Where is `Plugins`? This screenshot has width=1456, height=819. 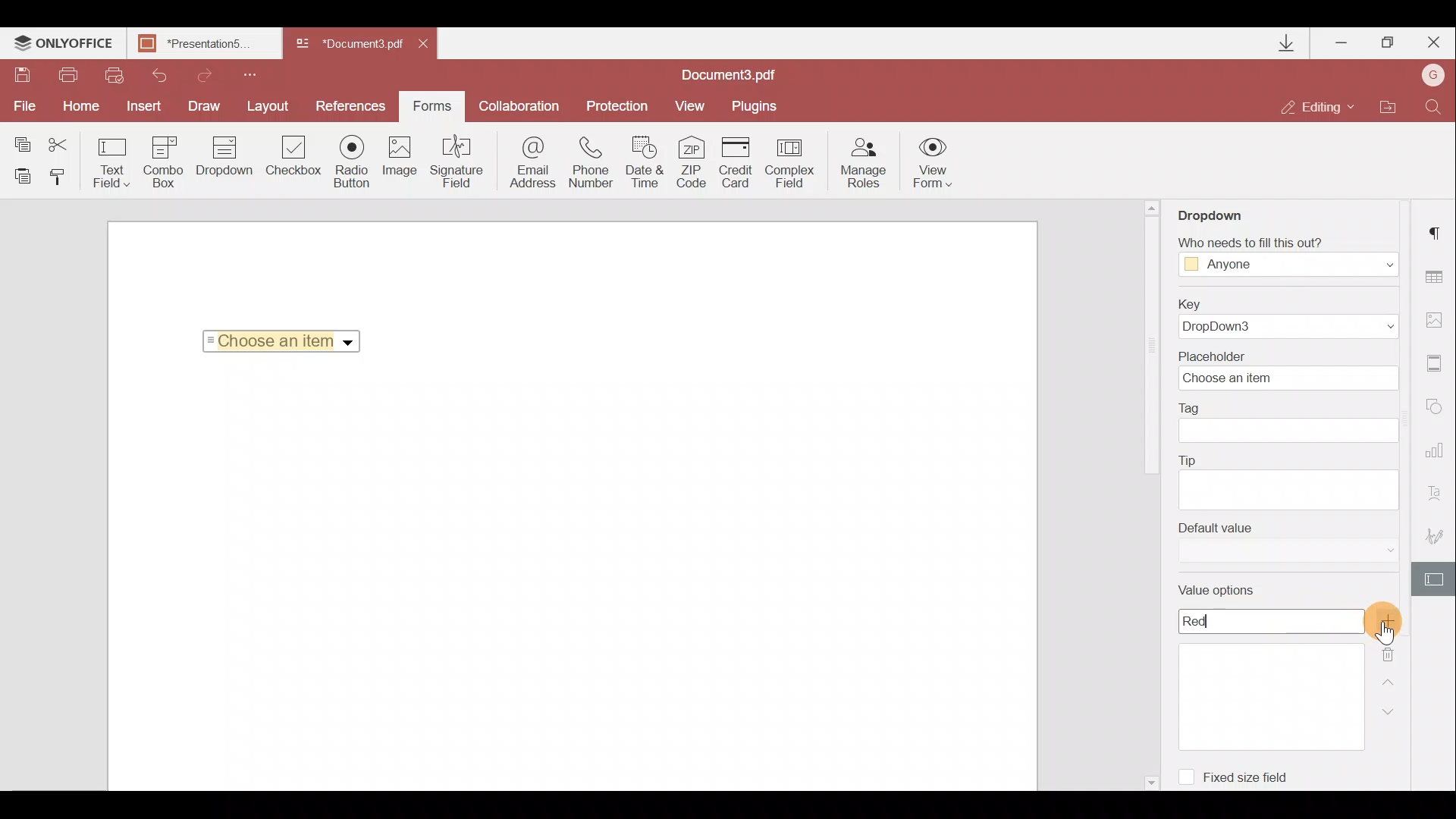 Plugins is located at coordinates (756, 107).